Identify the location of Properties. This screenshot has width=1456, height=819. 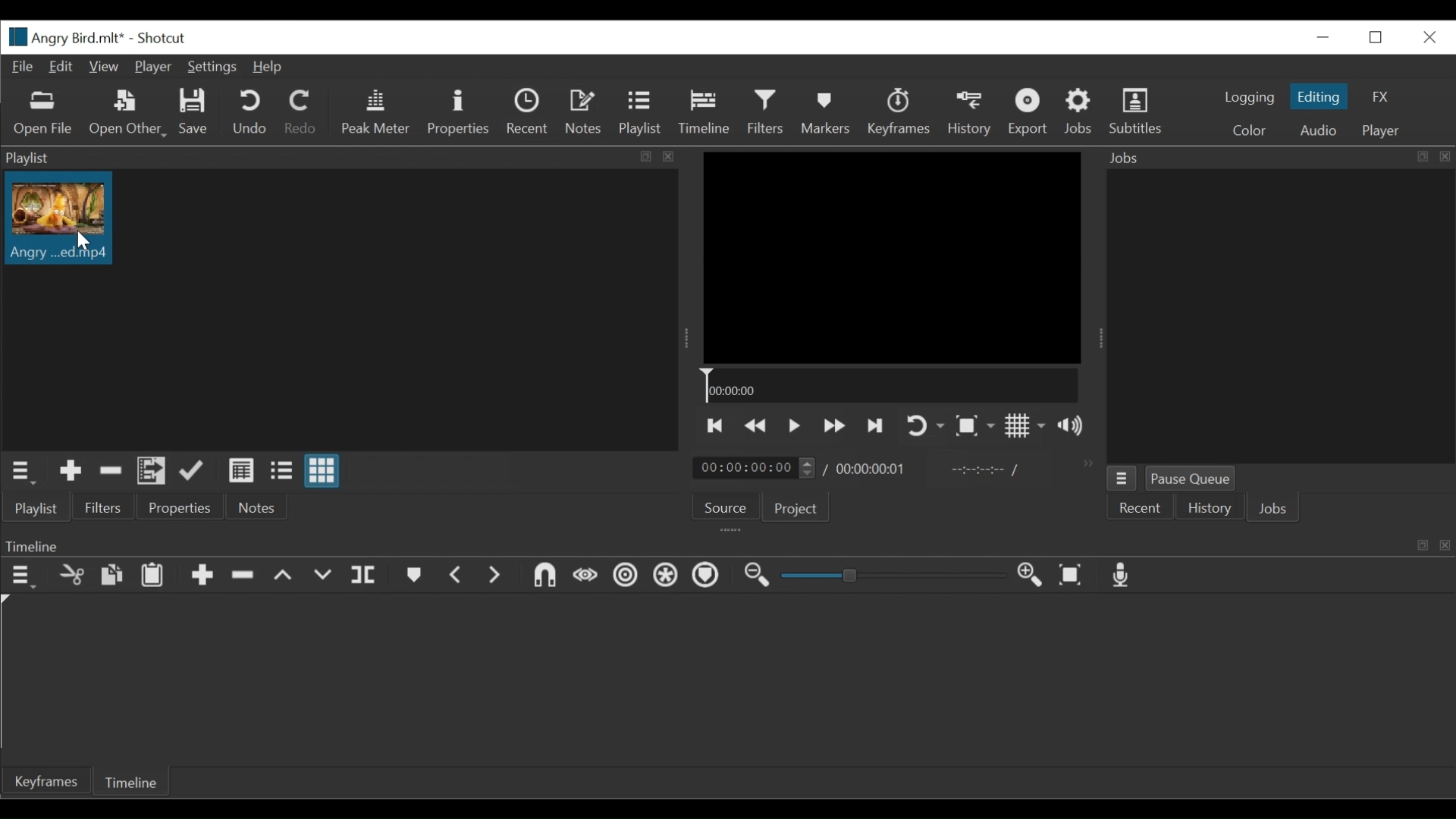
(180, 507).